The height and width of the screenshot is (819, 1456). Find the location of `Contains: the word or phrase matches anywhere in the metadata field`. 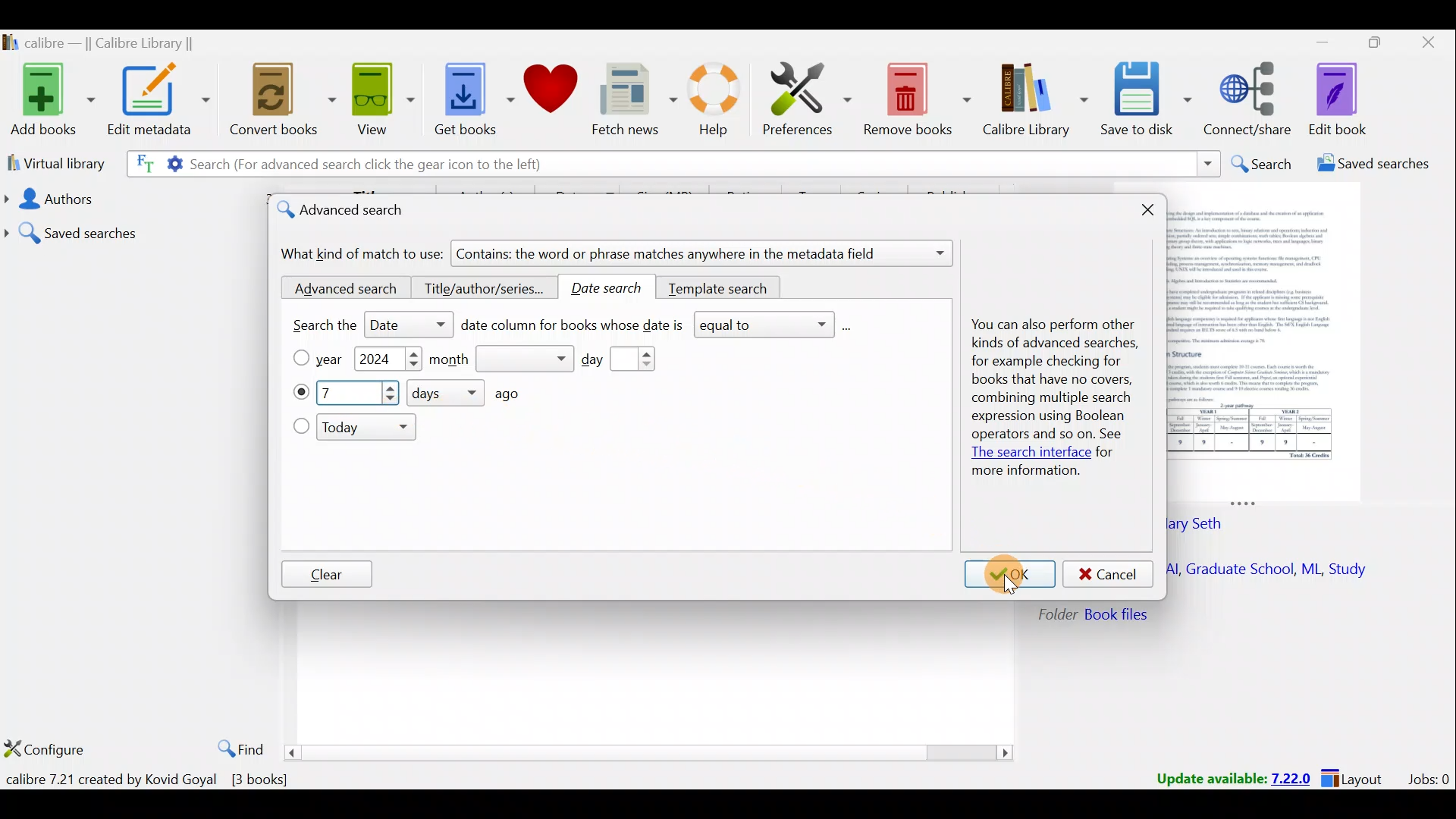

Contains: the word or phrase matches anywhere in the metadata field is located at coordinates (704, 255).